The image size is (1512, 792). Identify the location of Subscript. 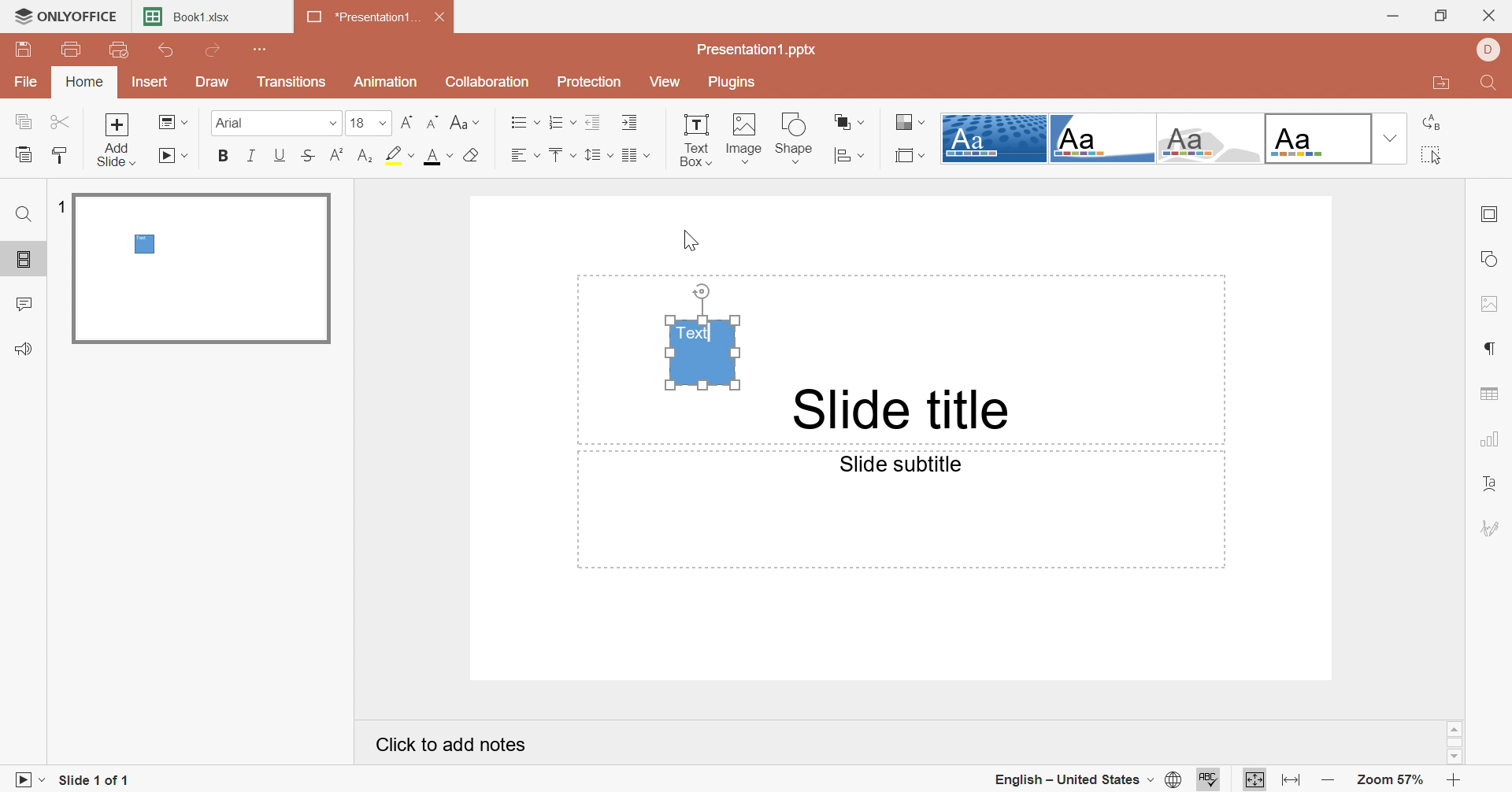
(368, 157).